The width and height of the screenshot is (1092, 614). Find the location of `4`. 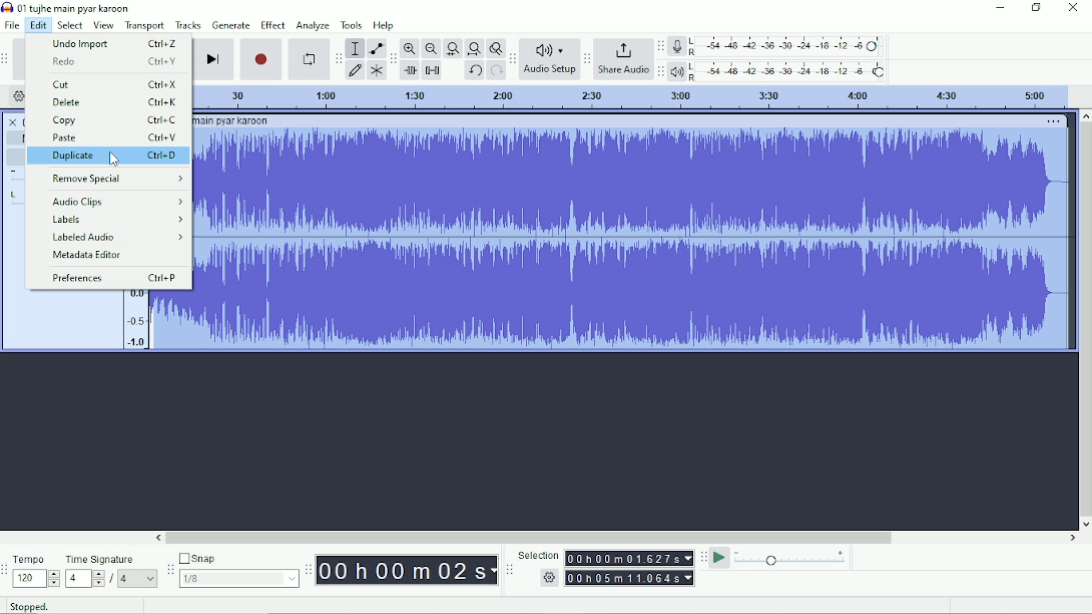

4 is located at coordinates (138, 579).